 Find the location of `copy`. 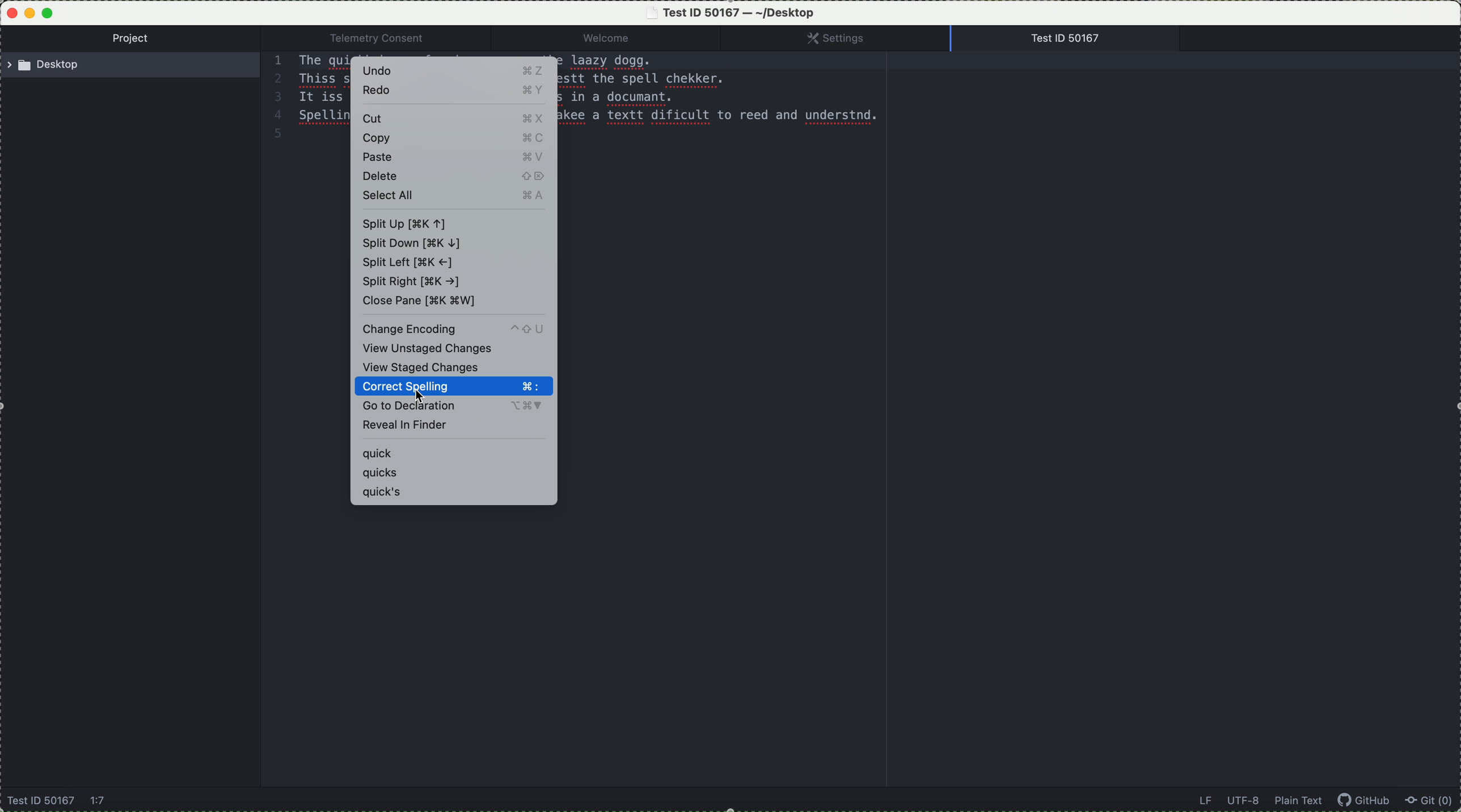

copy is located at coordinates (455, 138).